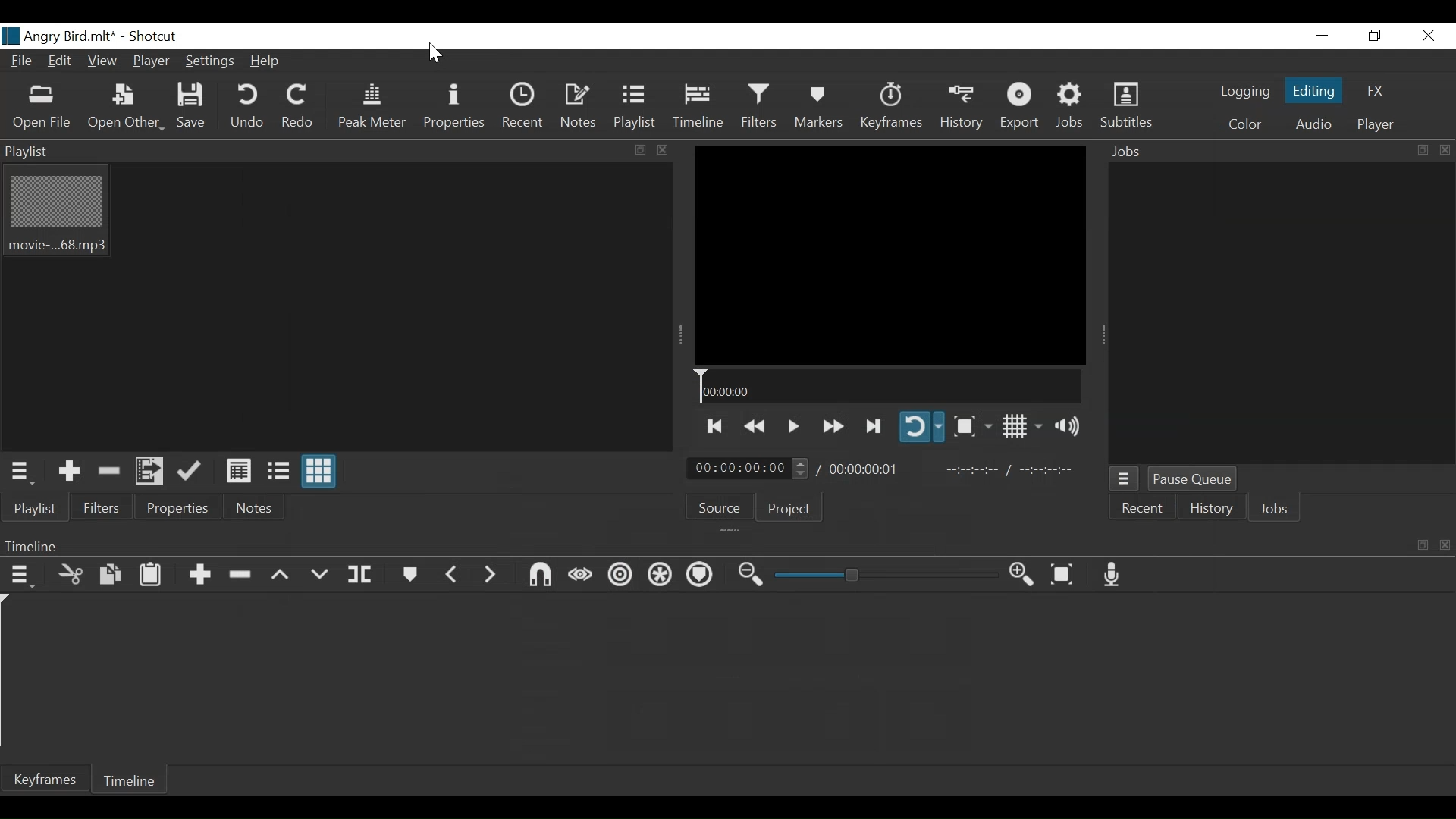 The height and width of the screenshot is (819, 1456). I want to click on Snap, so click(541, 575).